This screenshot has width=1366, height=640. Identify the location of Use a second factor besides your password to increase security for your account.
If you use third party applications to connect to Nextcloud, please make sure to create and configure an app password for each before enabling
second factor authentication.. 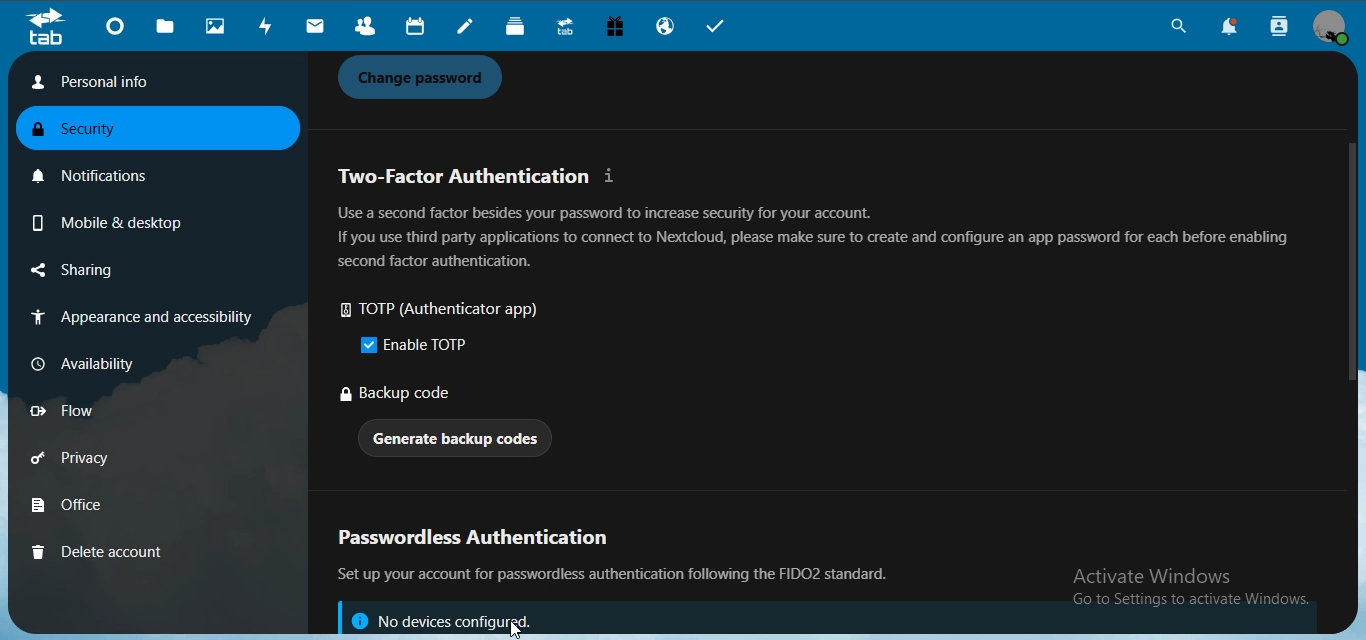
(813, 237).